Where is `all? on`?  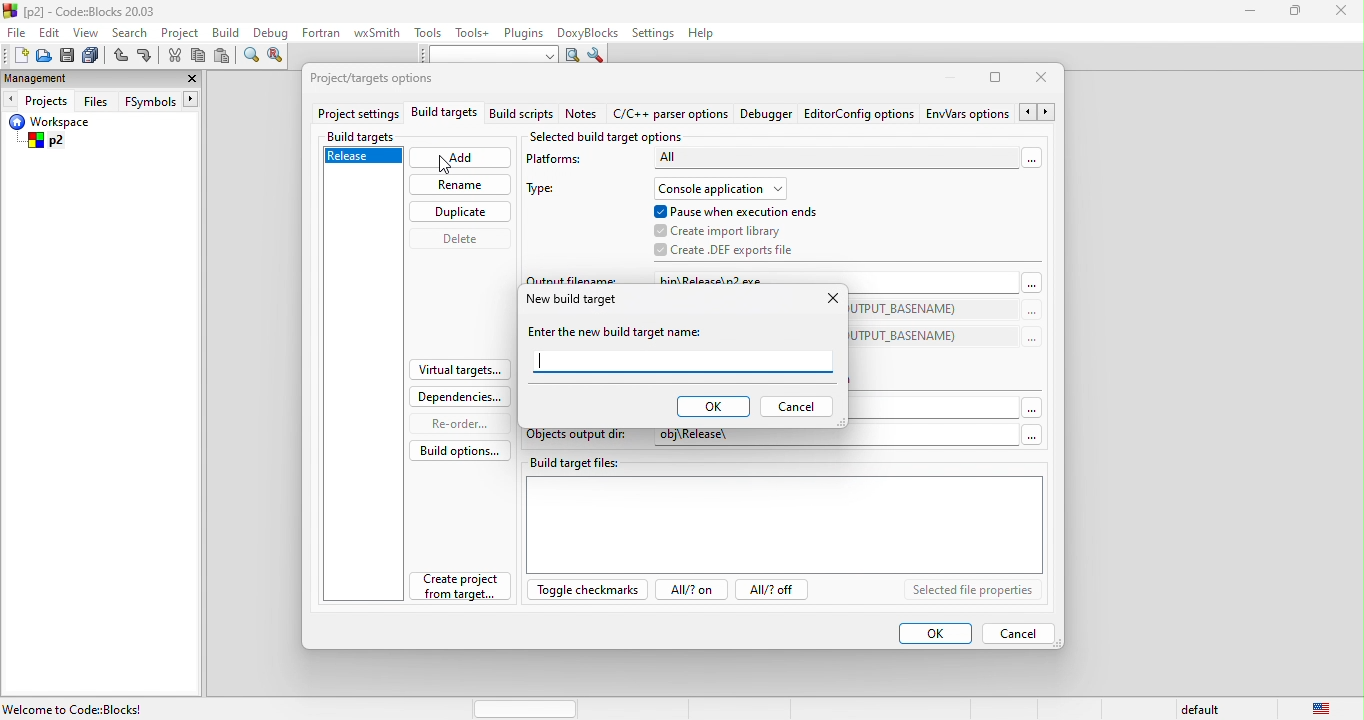
all? on is located at coordinates (695, 590).